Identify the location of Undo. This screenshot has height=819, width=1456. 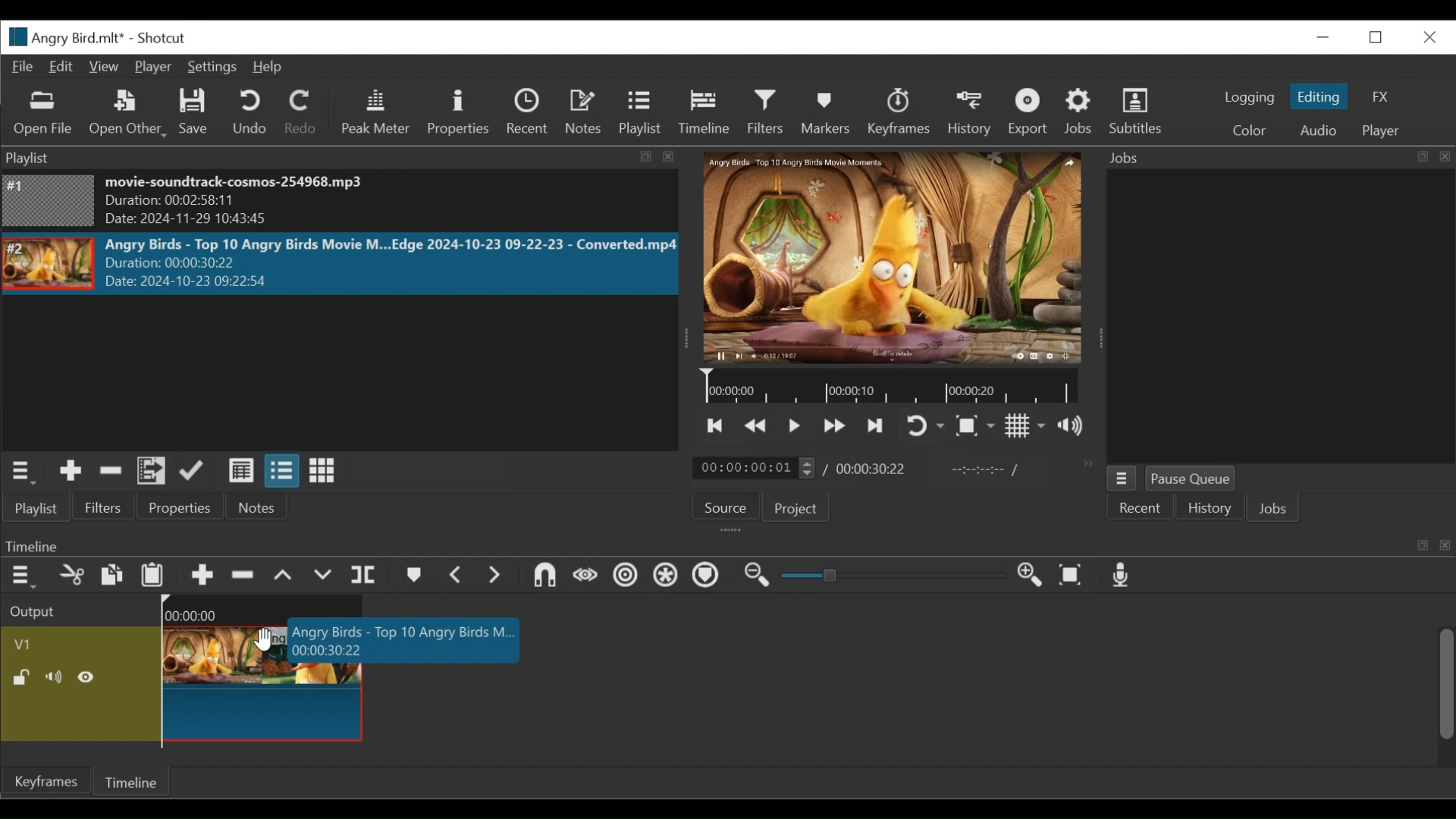
(251, 112).